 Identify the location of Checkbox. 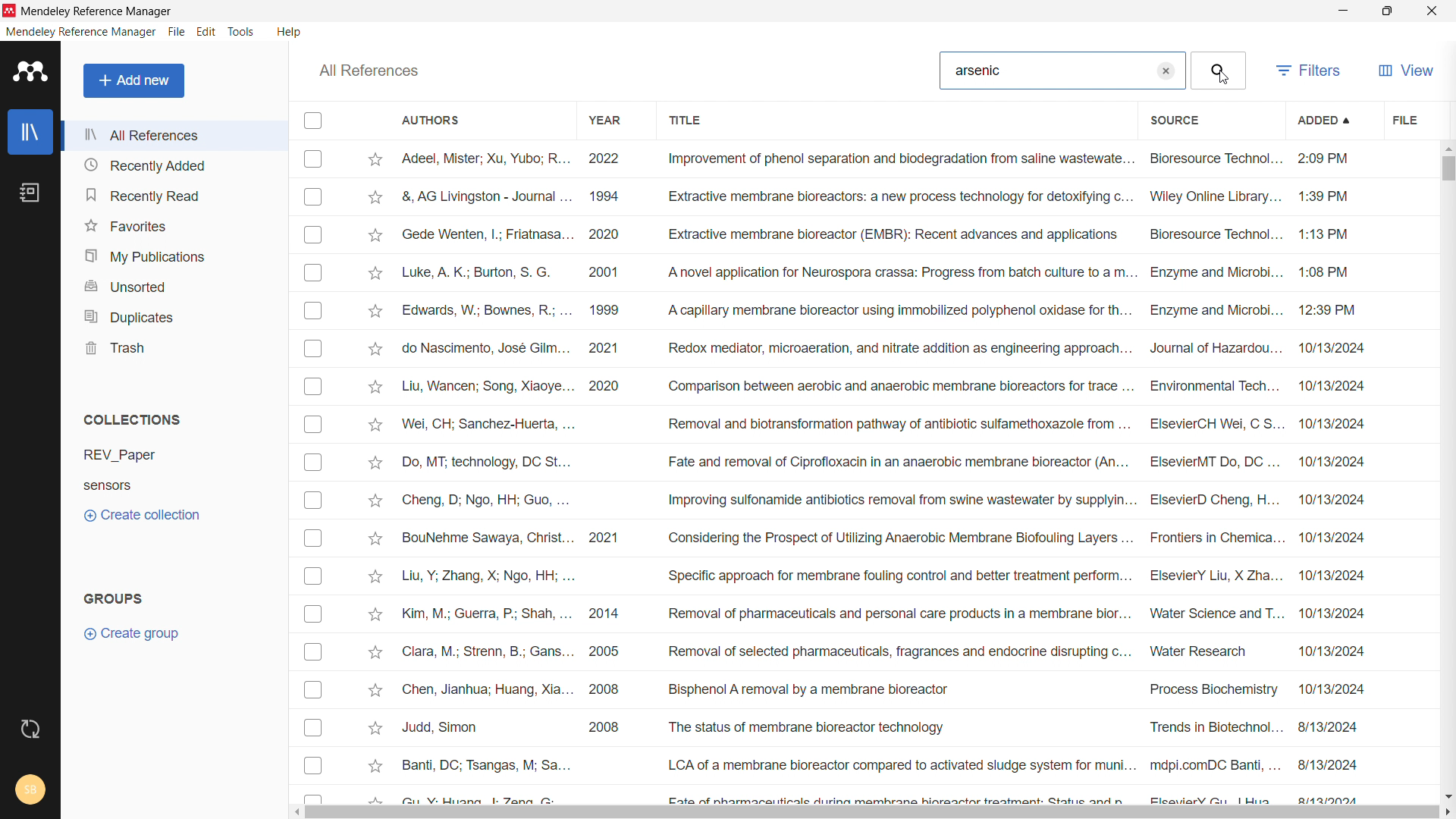
(313, 311).